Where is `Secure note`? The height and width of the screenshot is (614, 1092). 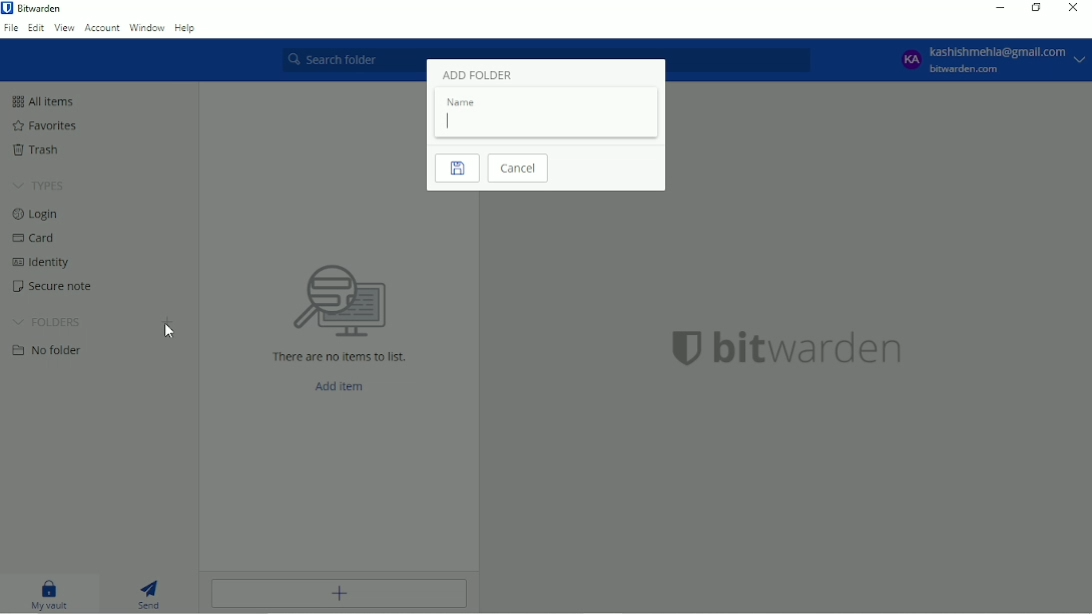 Secure note is located at coordinates (51, 287).